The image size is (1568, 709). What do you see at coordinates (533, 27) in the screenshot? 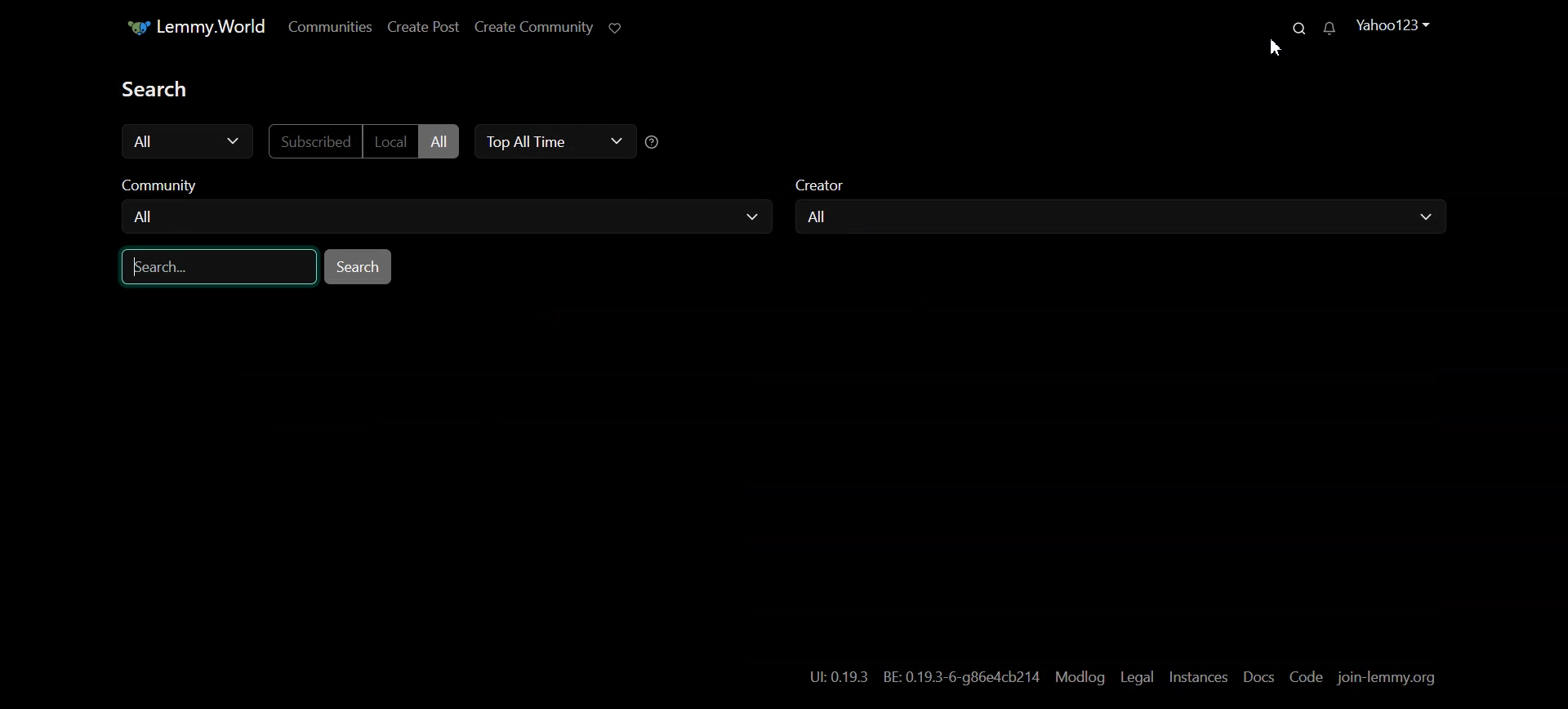
I see `Create Community` at bounding box center [533, 27].